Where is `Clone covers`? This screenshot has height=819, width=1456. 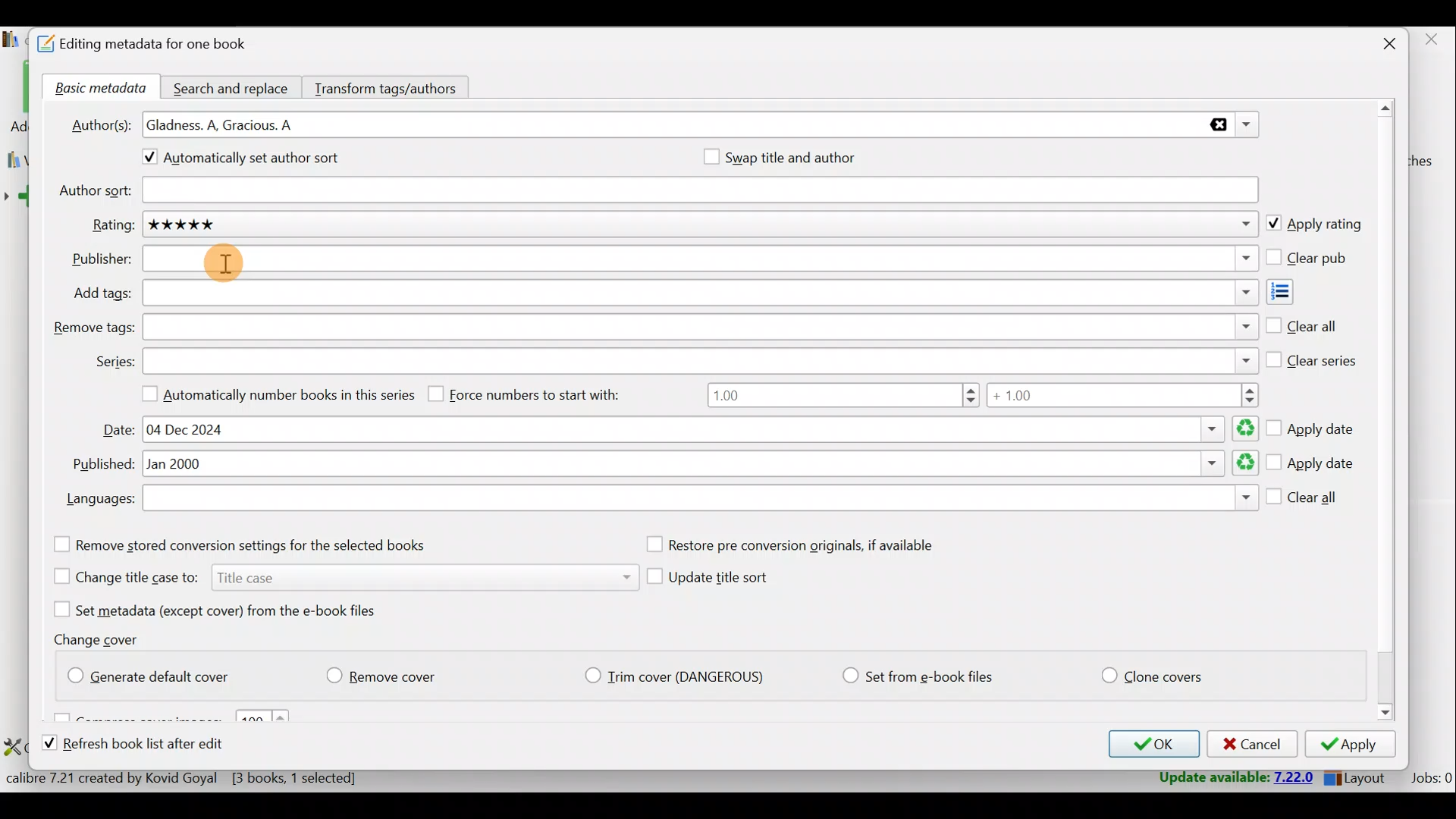
Clone covers is located at coordinates (1149, 673).